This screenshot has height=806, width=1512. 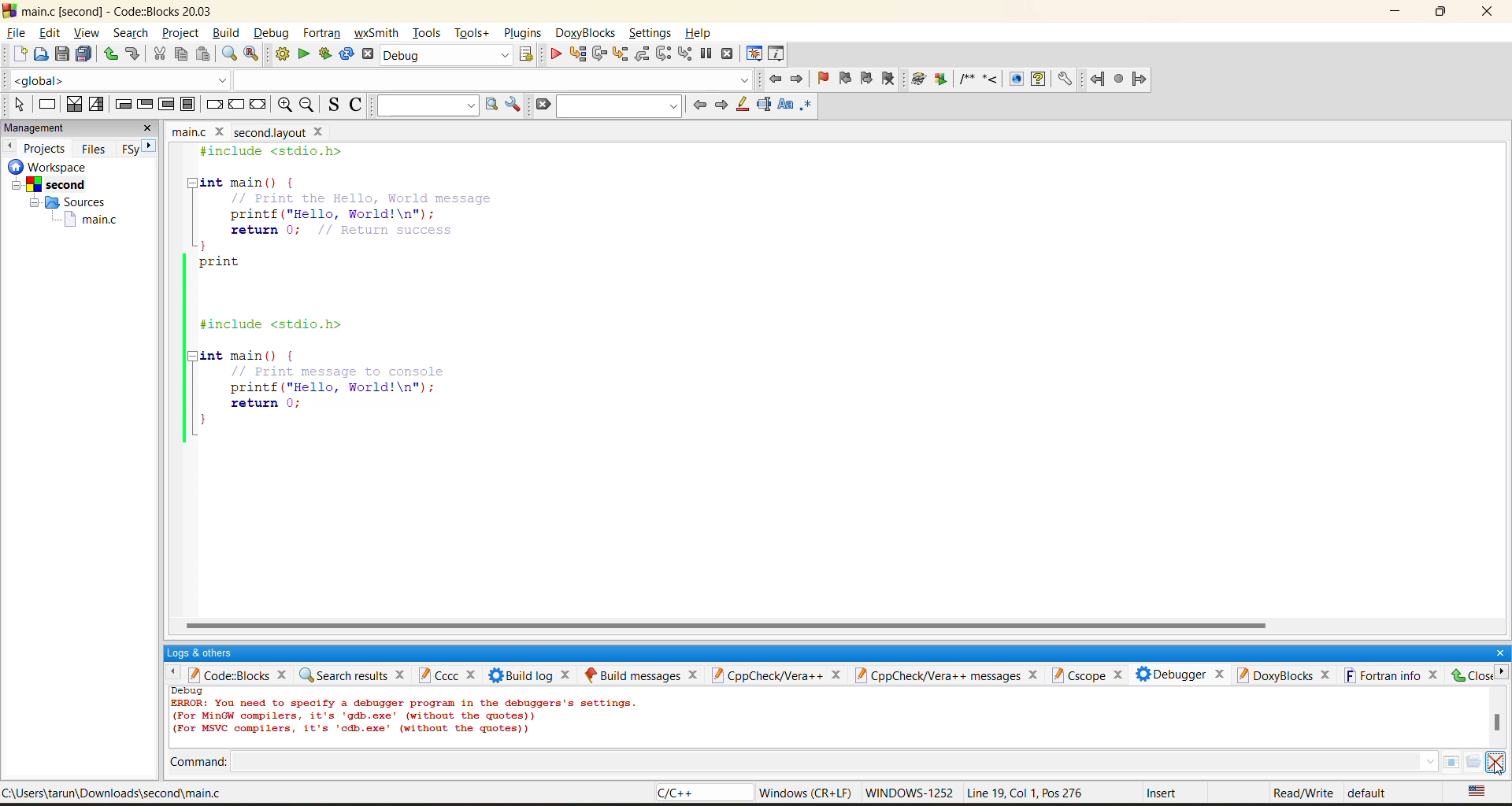 What do you see at coordinates (1494, 762) in the screenshot?
I see `clear consol` at bounding box center [1494, 762].